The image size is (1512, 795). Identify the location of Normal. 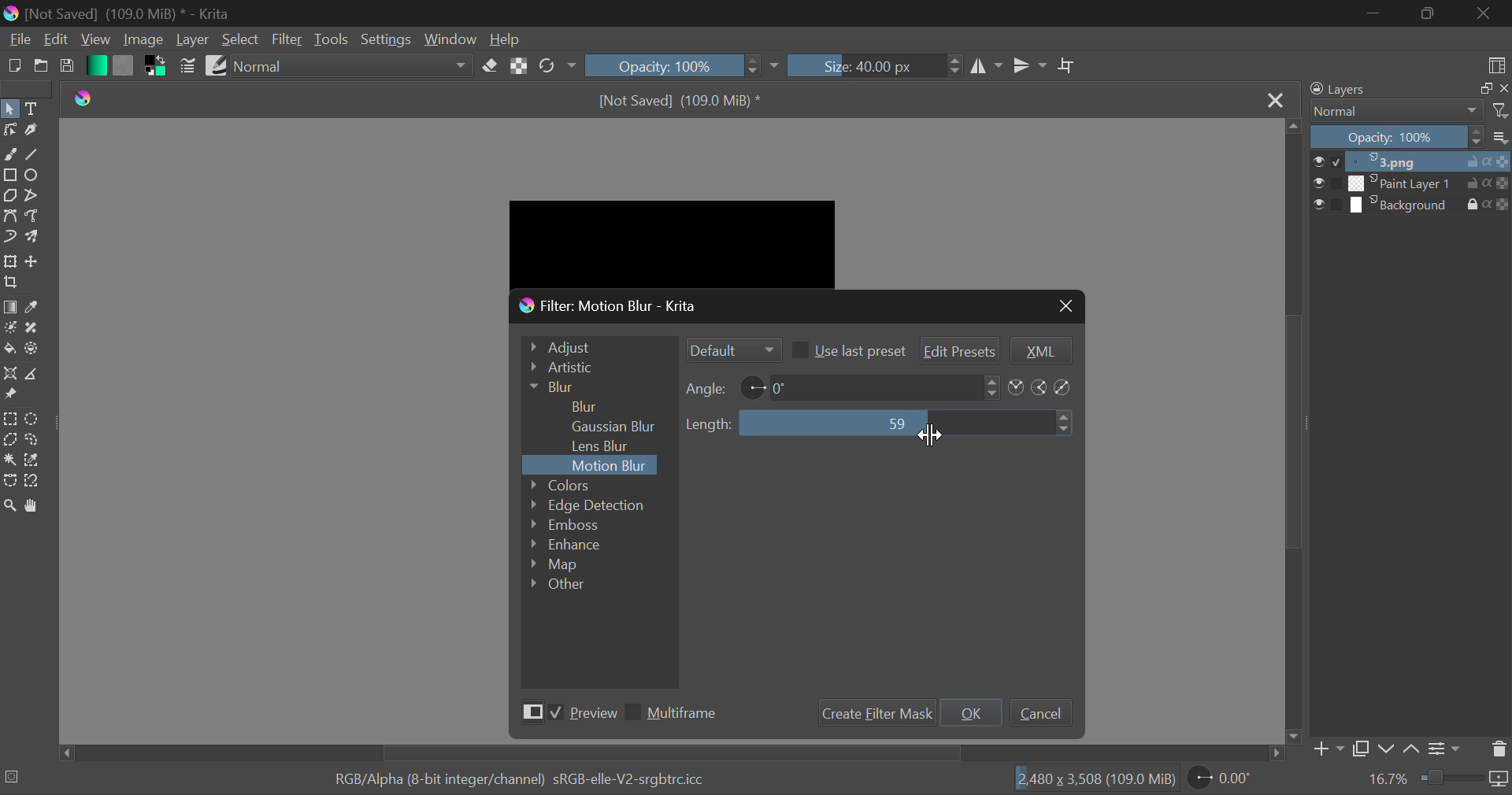
(1408, 111).